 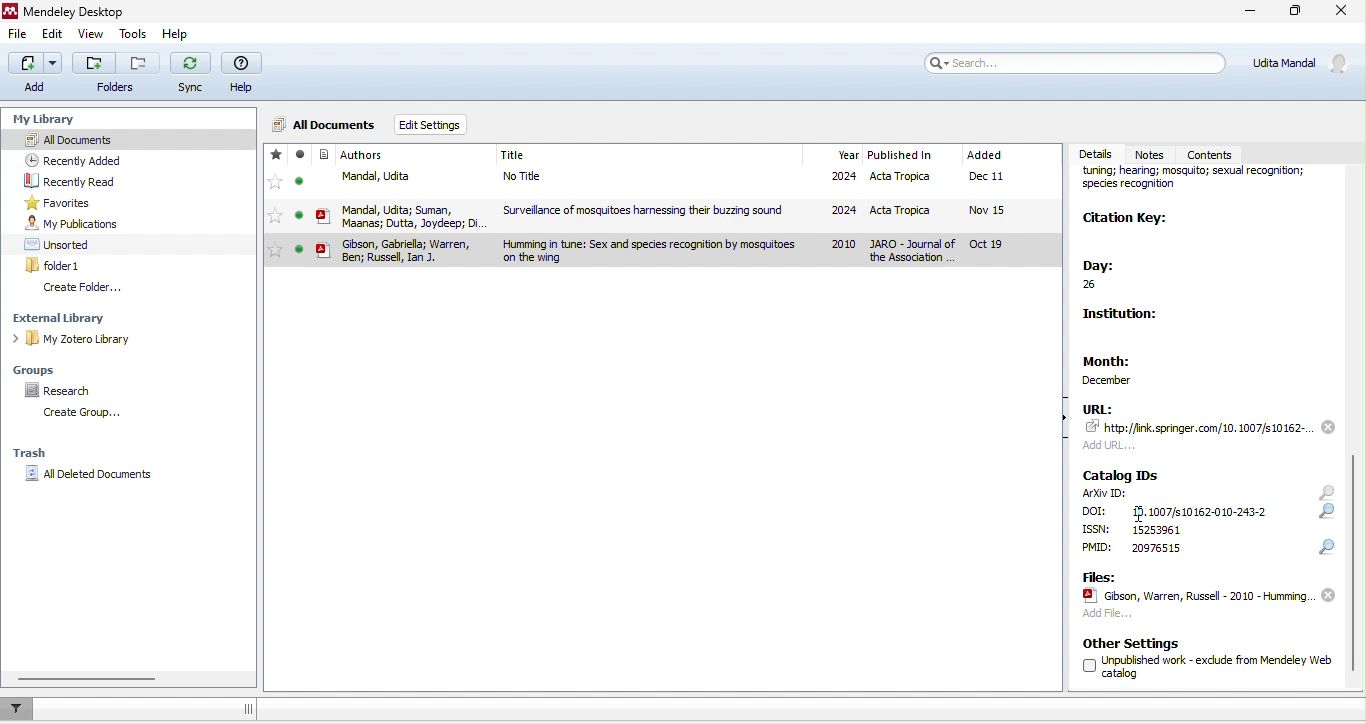 I want to click on seen/unseen, so click(x=300, y=186).